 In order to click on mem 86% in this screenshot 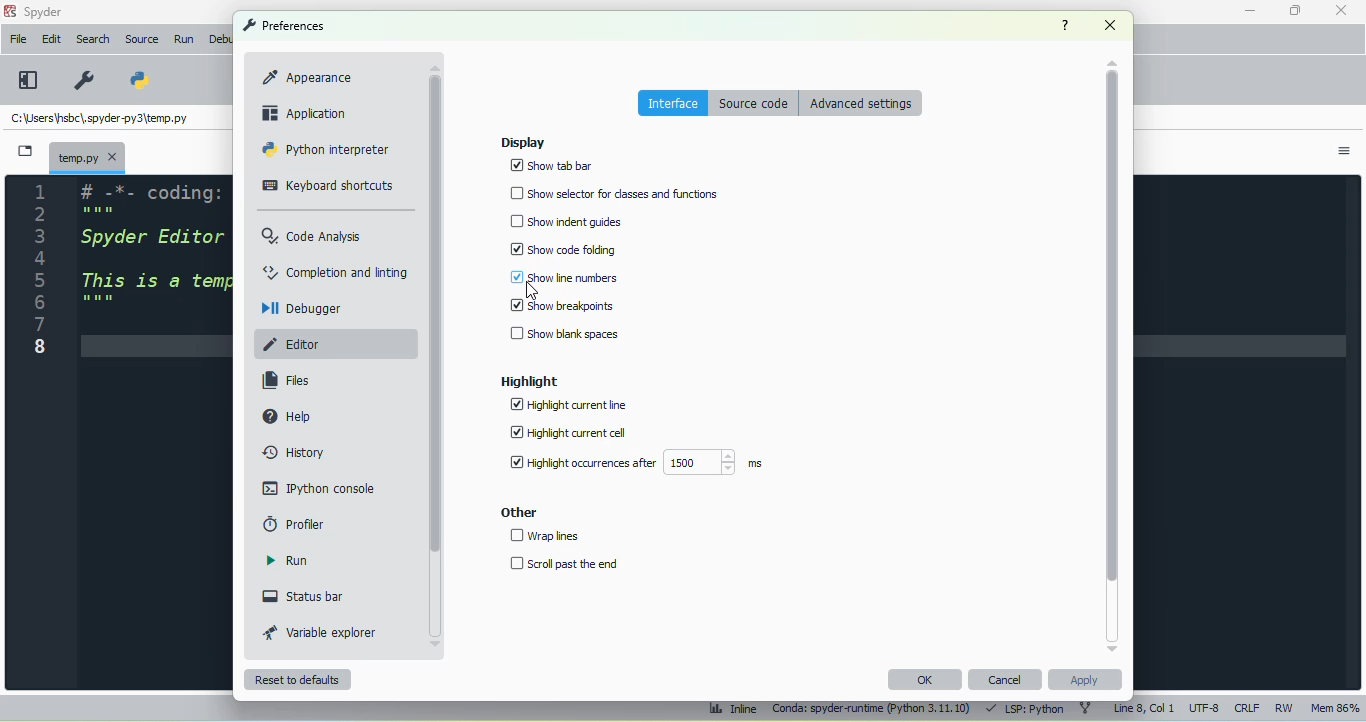, I will do `click(1335, 707)`.